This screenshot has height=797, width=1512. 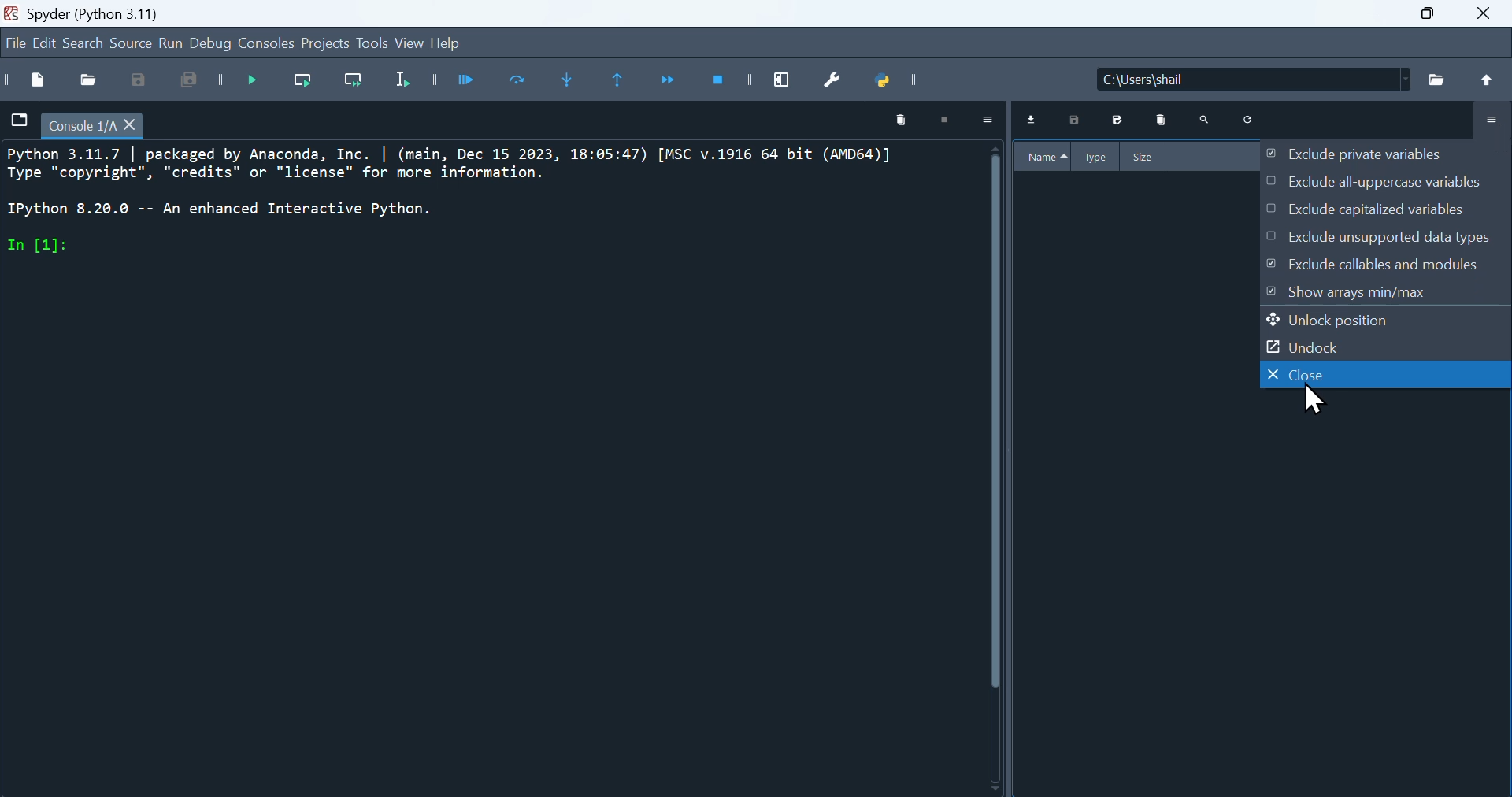 What do you see at coordinates (369, 44) in the screenshot?
I see `Tools` at bounding box center [369, 44].